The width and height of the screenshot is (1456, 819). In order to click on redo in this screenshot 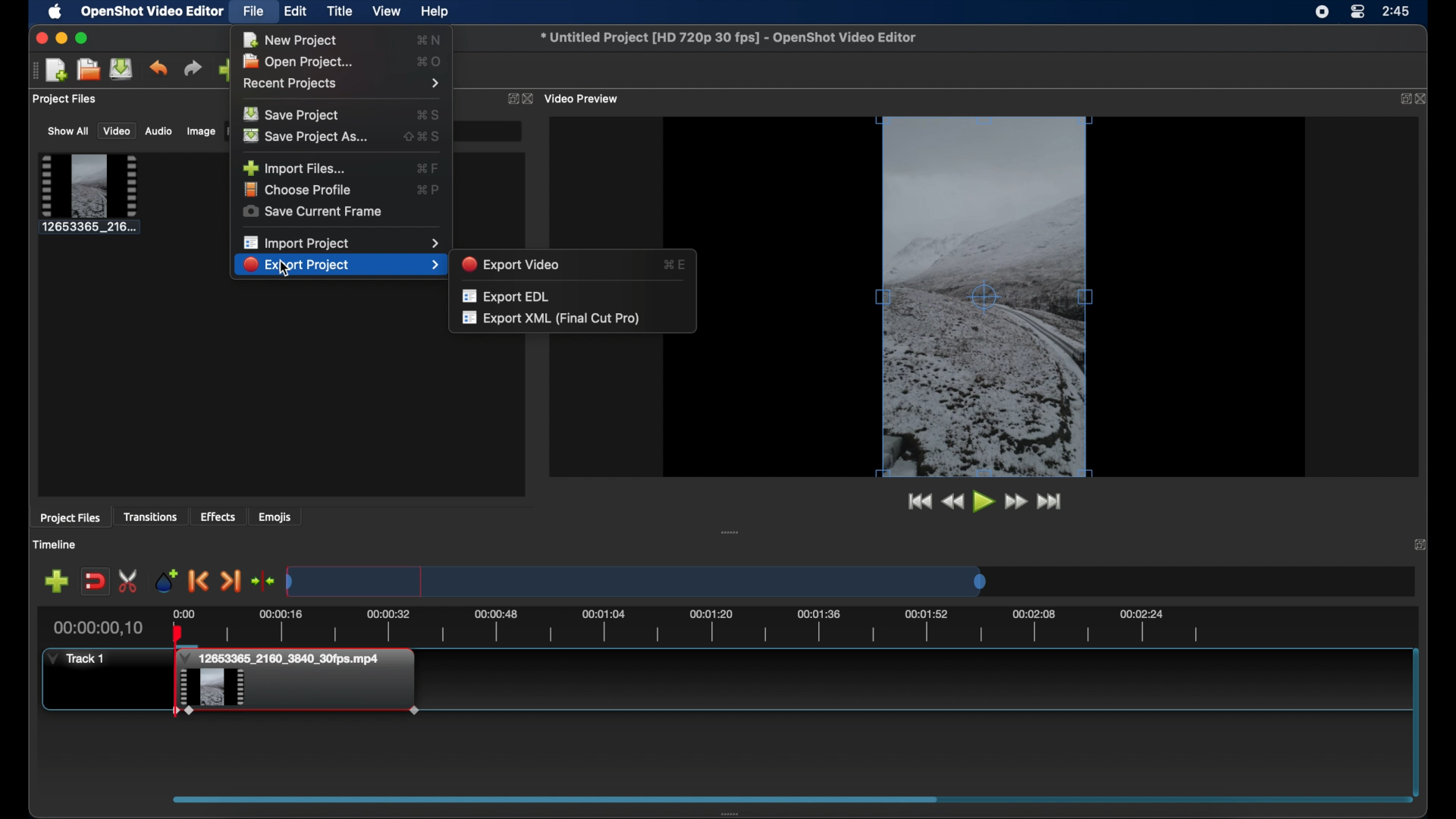, I will do `click(193, 67)`.